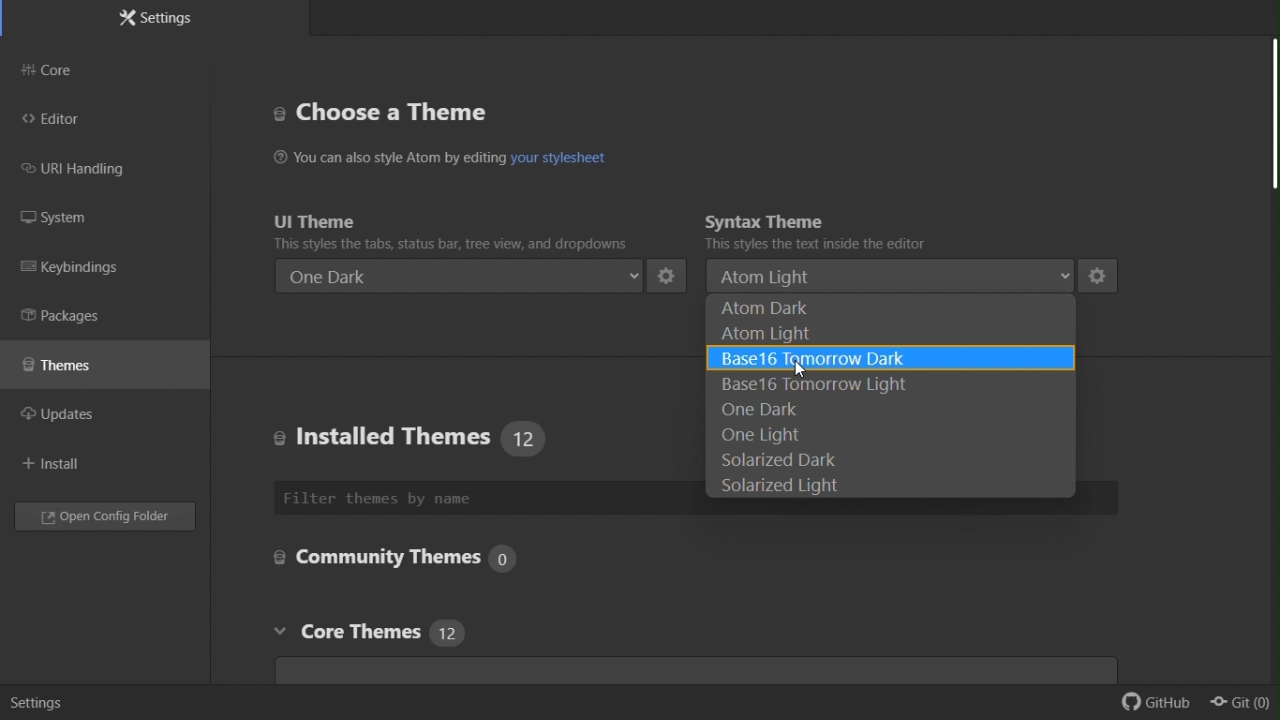  I want to click on Syntax theme, so click(866, 233).